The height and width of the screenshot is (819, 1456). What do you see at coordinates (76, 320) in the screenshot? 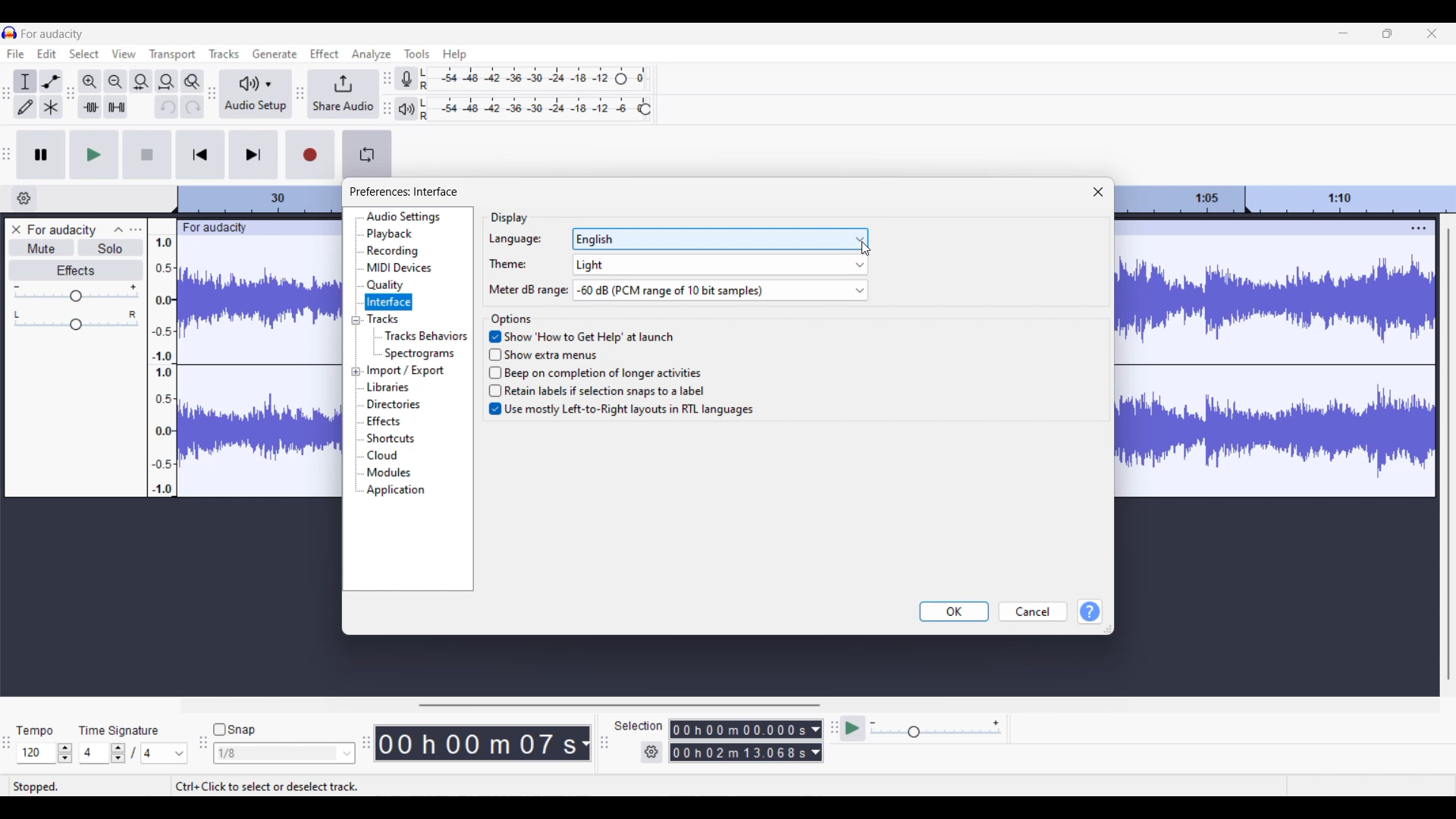
I see `Pan scale` at bounding box center [76, 320].